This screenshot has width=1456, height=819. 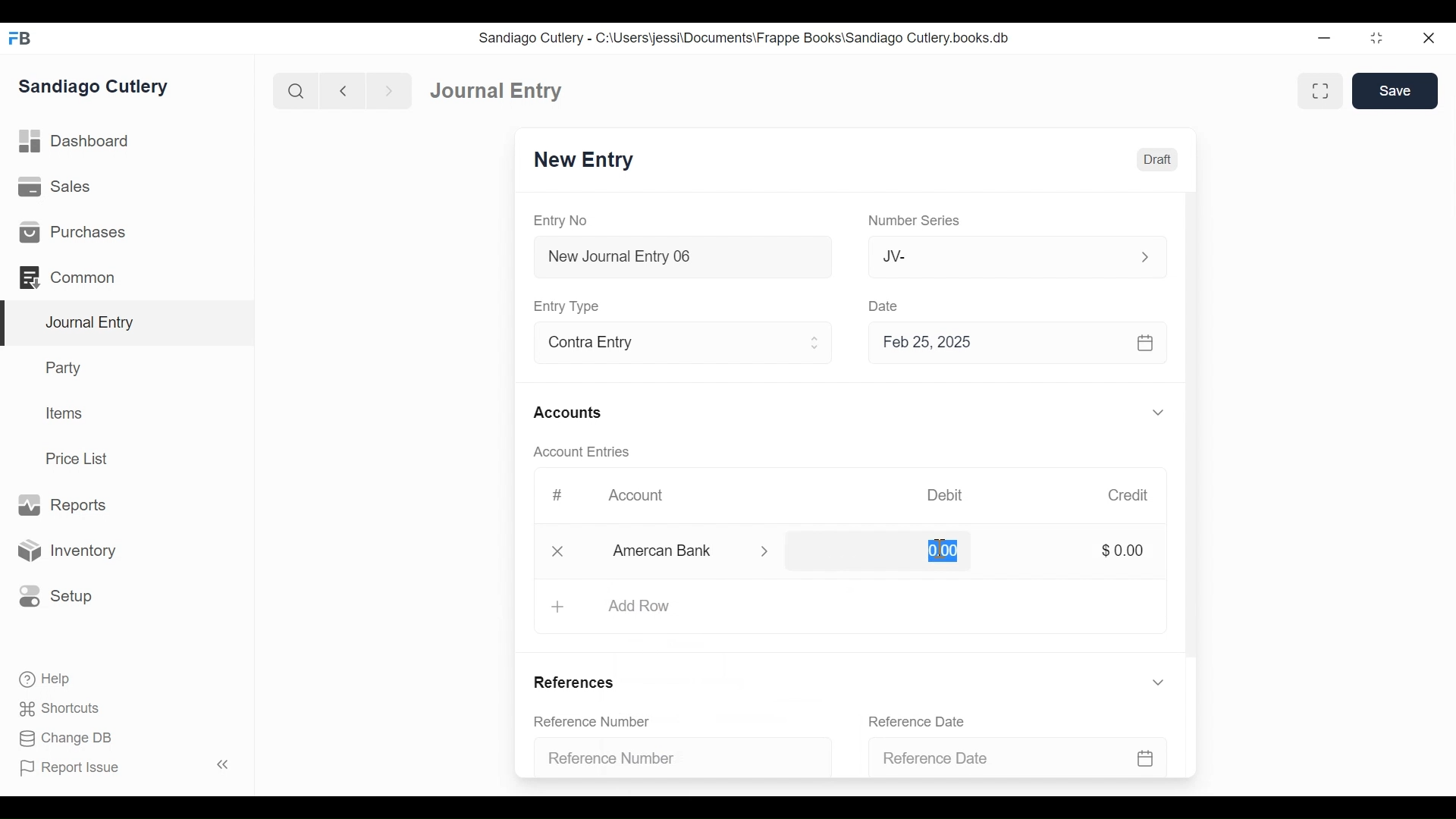 What do you see at coordinates (584, 160) in the screenshot?
I see `New Entry` at bounding box center [584, 160].